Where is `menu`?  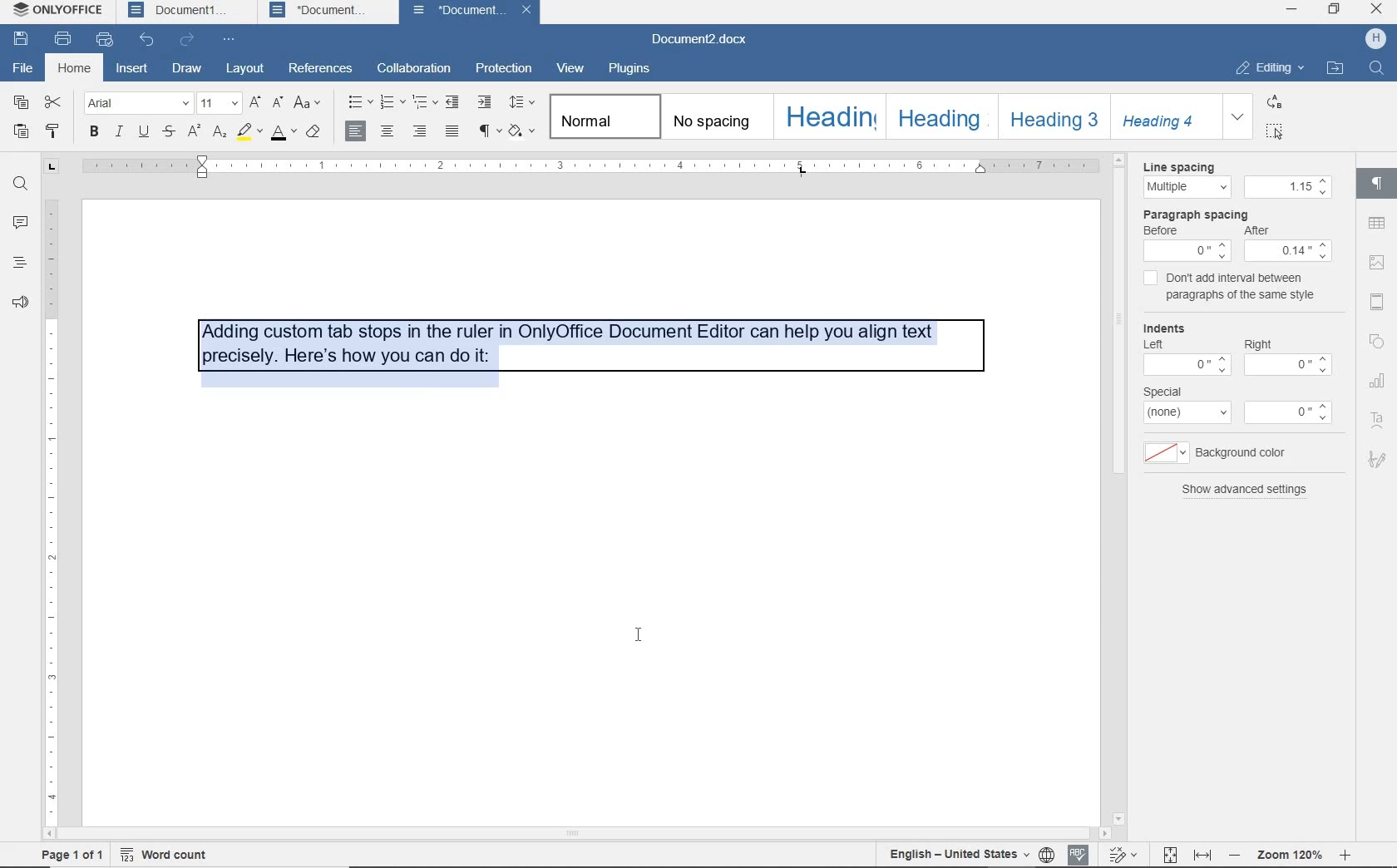
menu is located at coordinates (1184, 367).